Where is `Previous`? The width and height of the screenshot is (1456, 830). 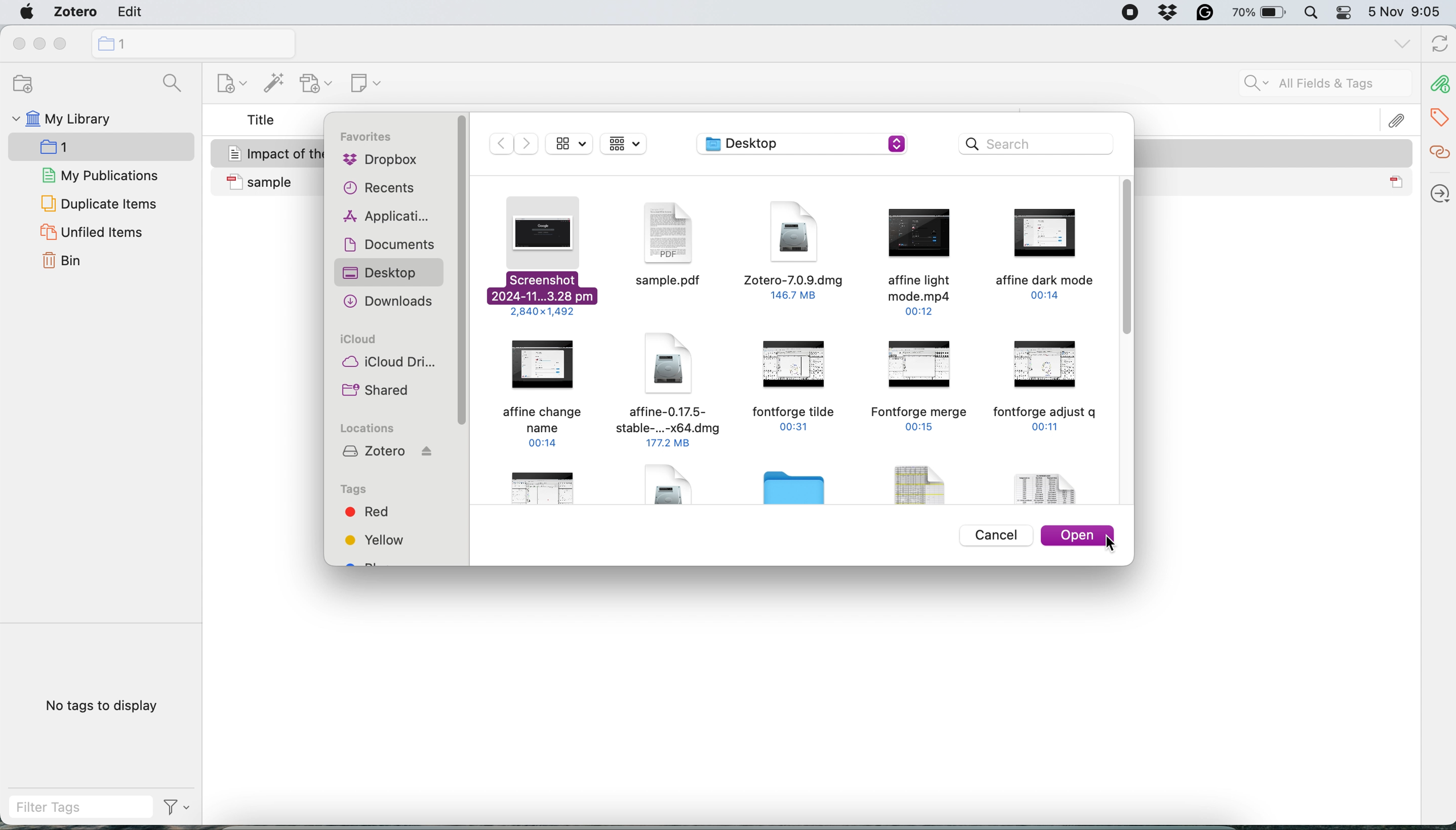 Previous is located at coordinates (497, 143).